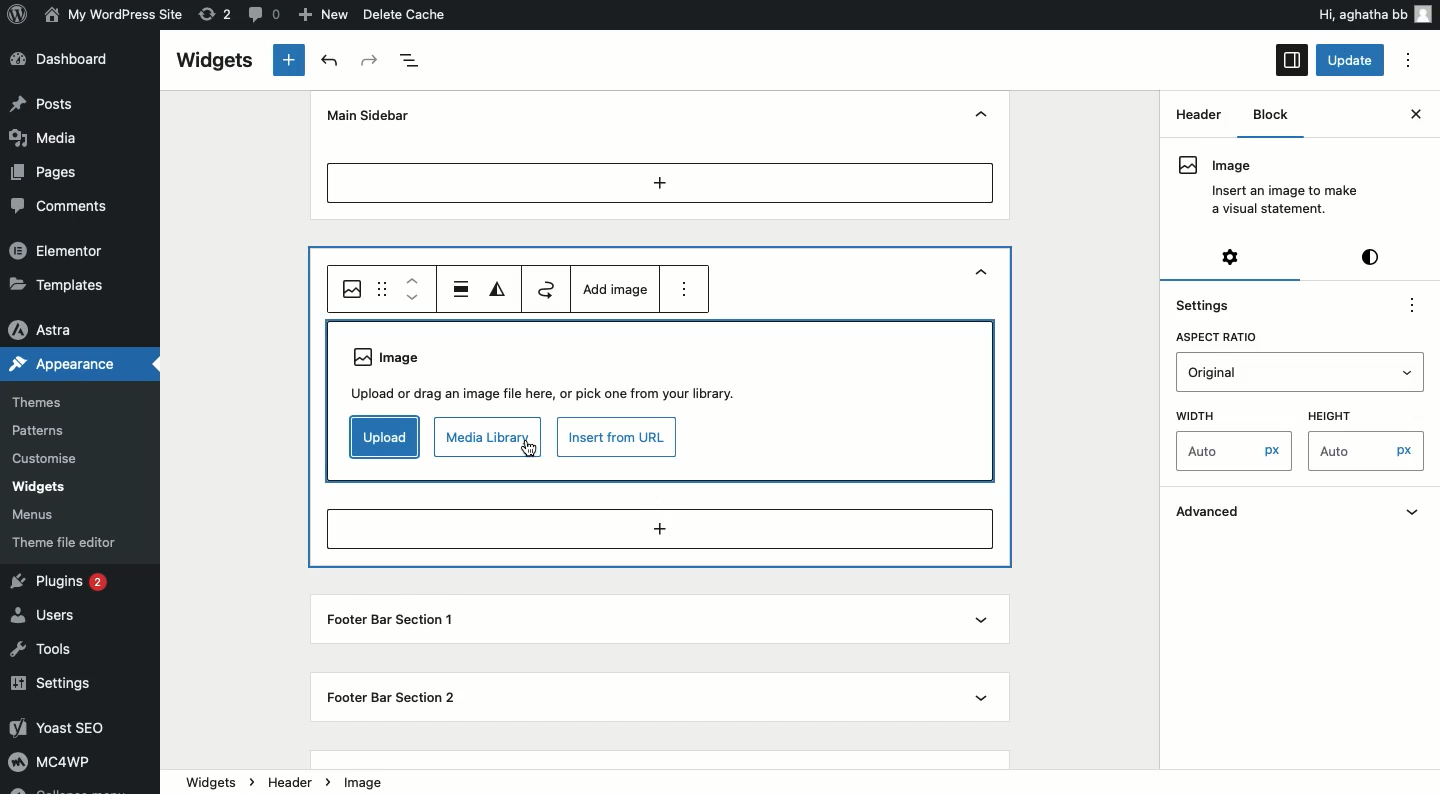  Describe the element at coordinates (1373, 14) in the screenshot. I see `Hi user` at that location.